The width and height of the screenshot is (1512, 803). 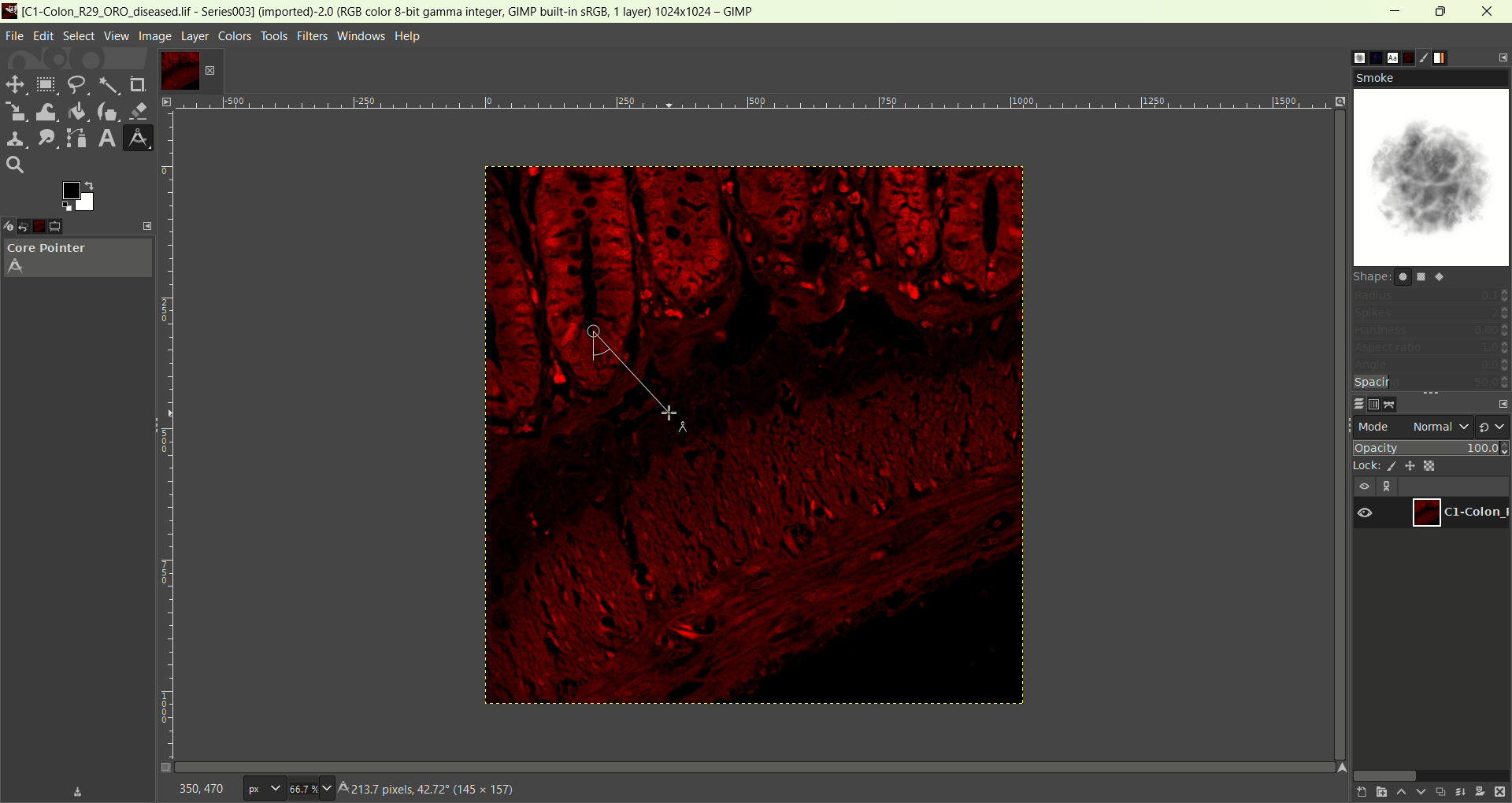 I want to click on hardness, so click(x=1431, y=331).